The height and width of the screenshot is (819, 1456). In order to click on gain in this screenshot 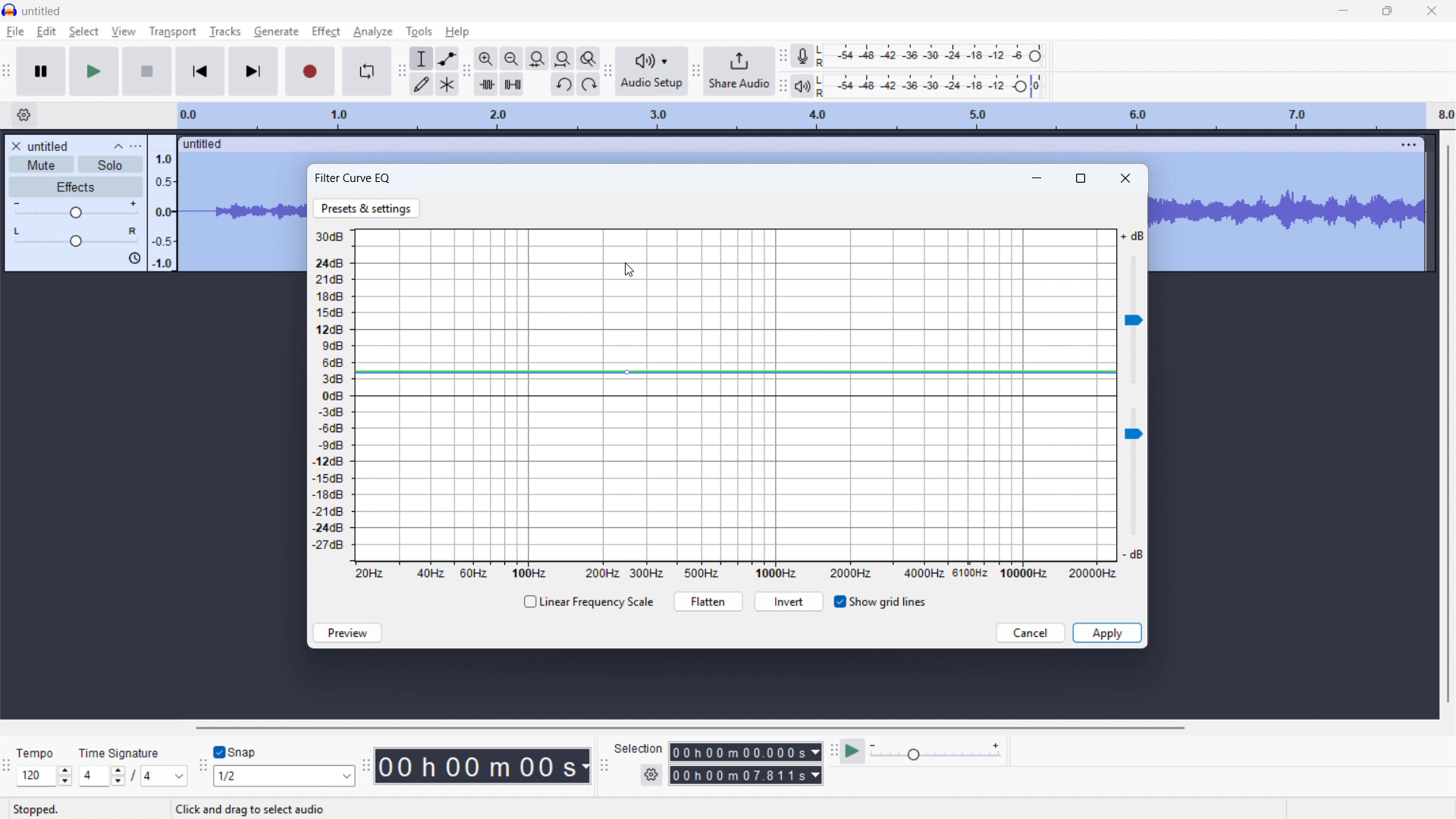, I will do `click(76, 210)`.